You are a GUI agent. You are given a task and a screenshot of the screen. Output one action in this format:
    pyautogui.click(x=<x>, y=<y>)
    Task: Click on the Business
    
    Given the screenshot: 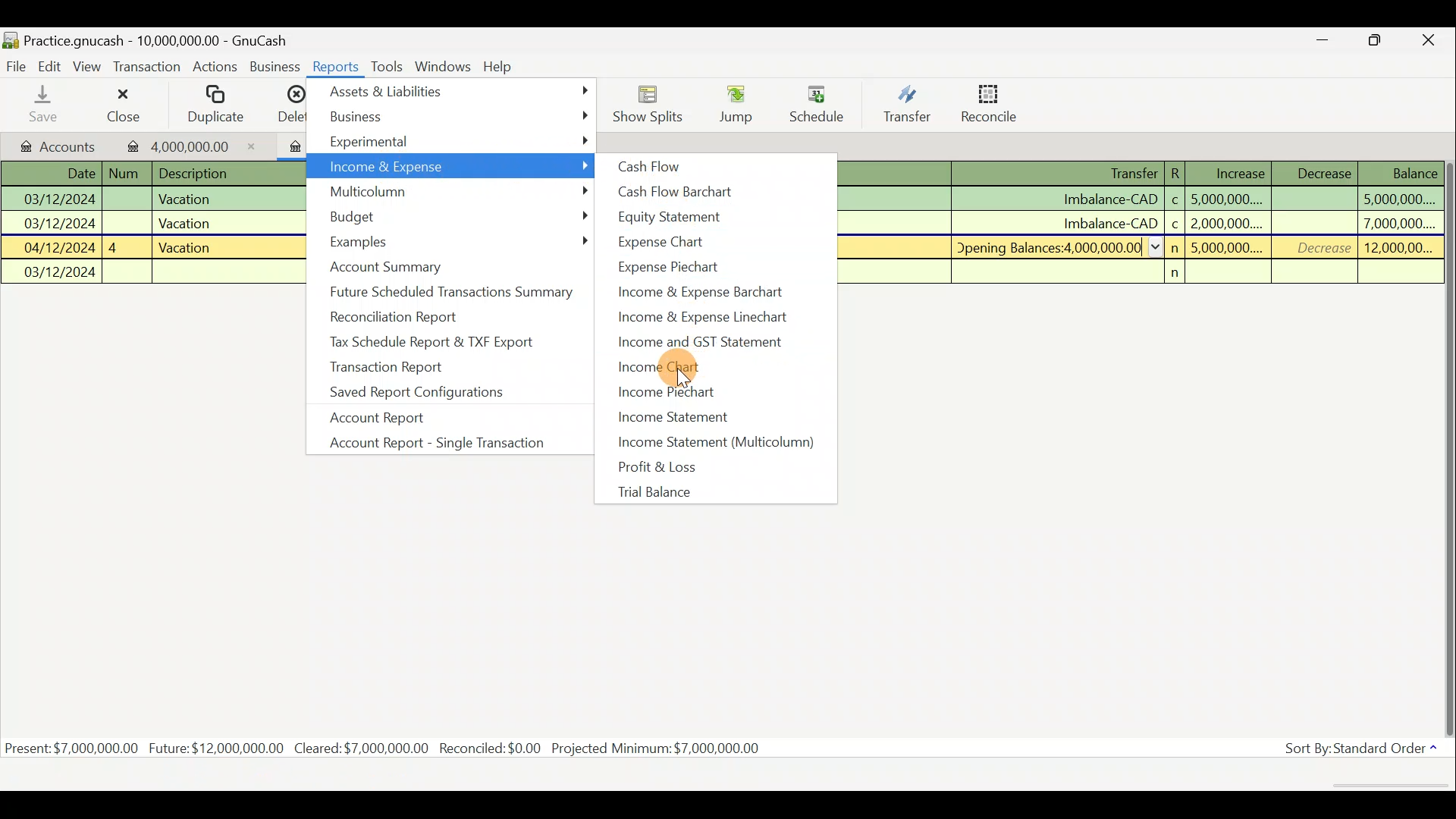 What is the action you would take?
    pyautogui.click(x=275, y=65)
    